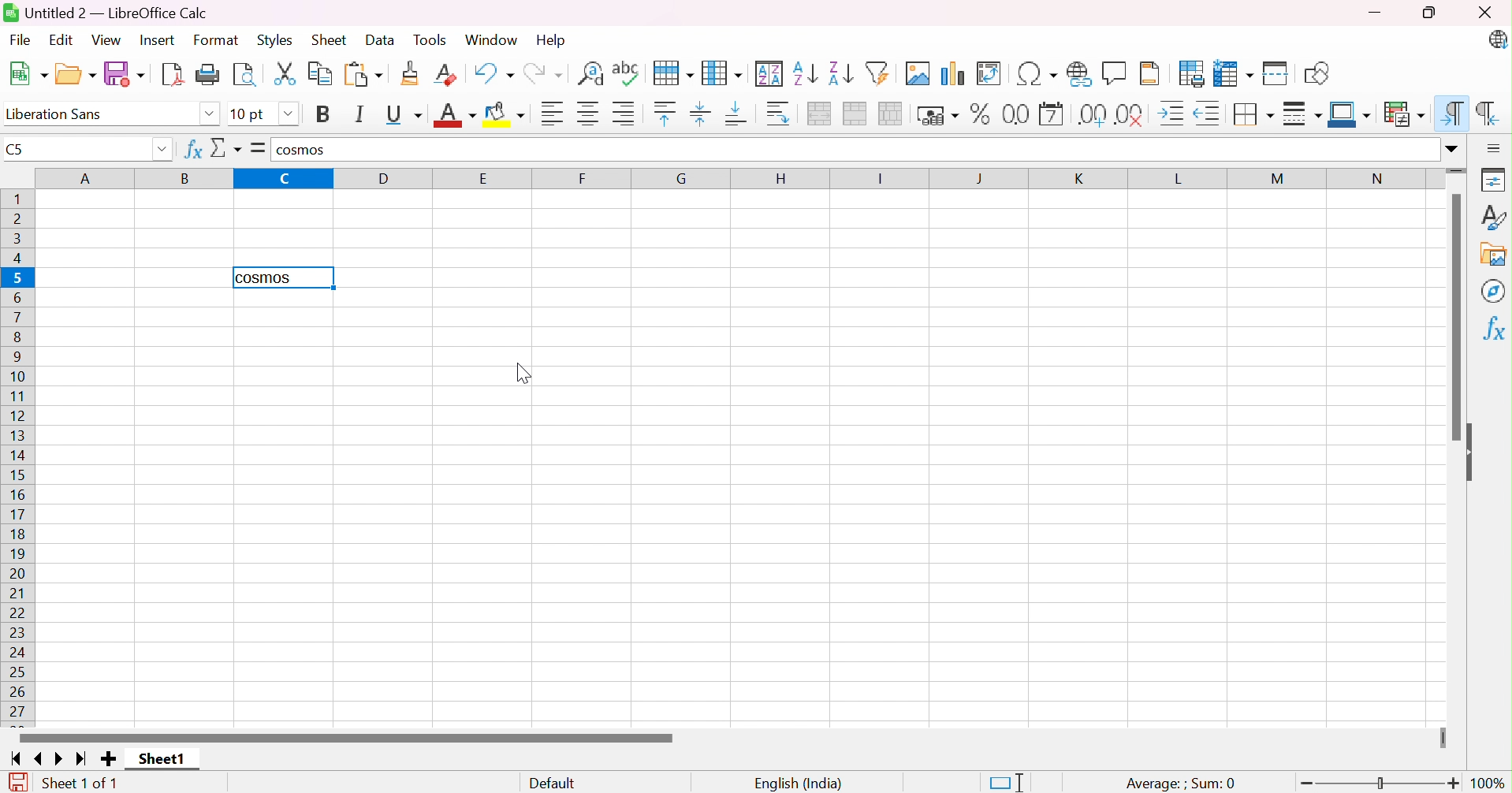 This screenshot has width=1512, height=793. What do you see at coordinates (1175, 114) in the screenshot?
I see `Increase Indent` at bounding box center [1175, 114].